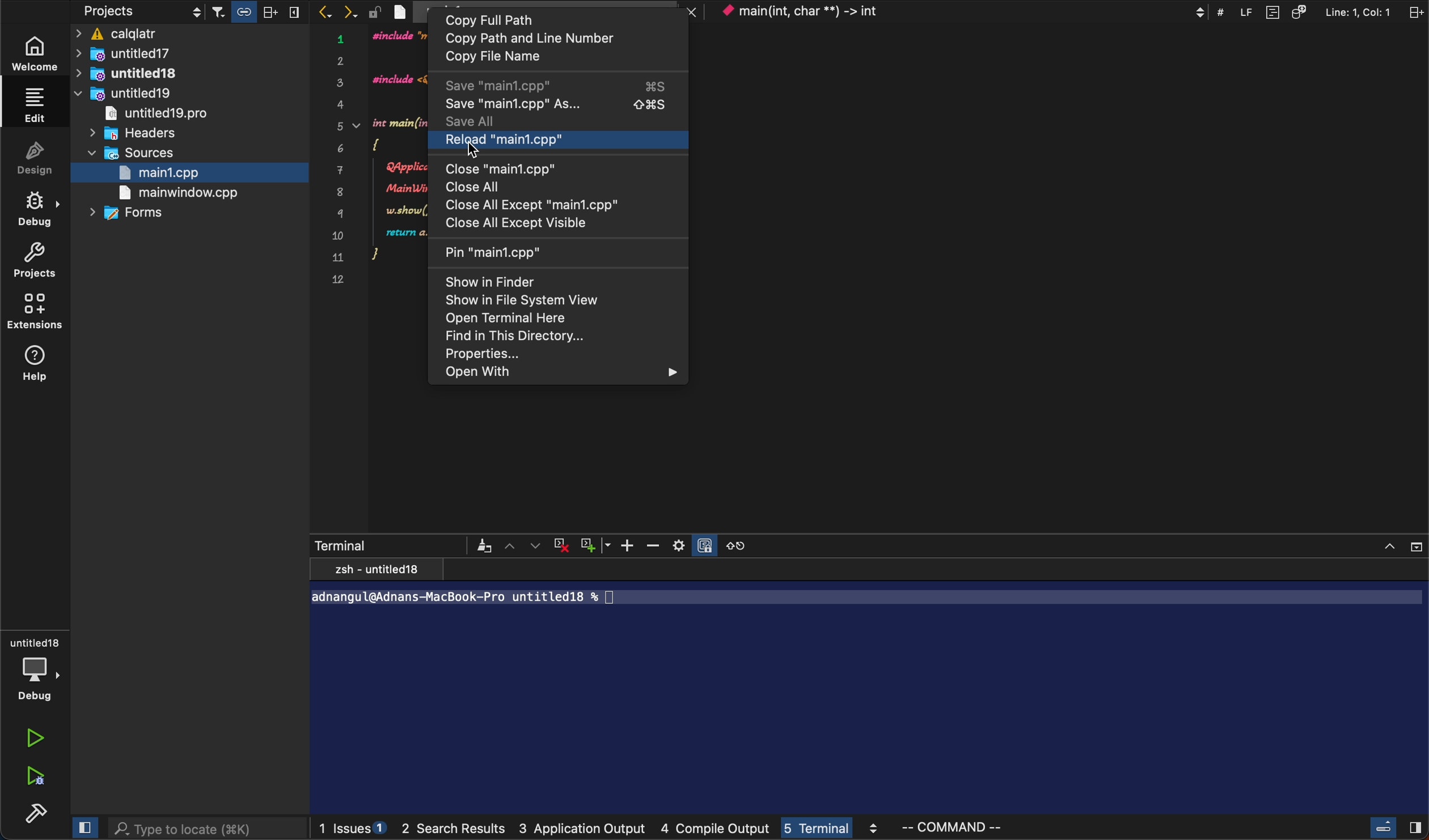  I want to click on plus, so click(597, 545).